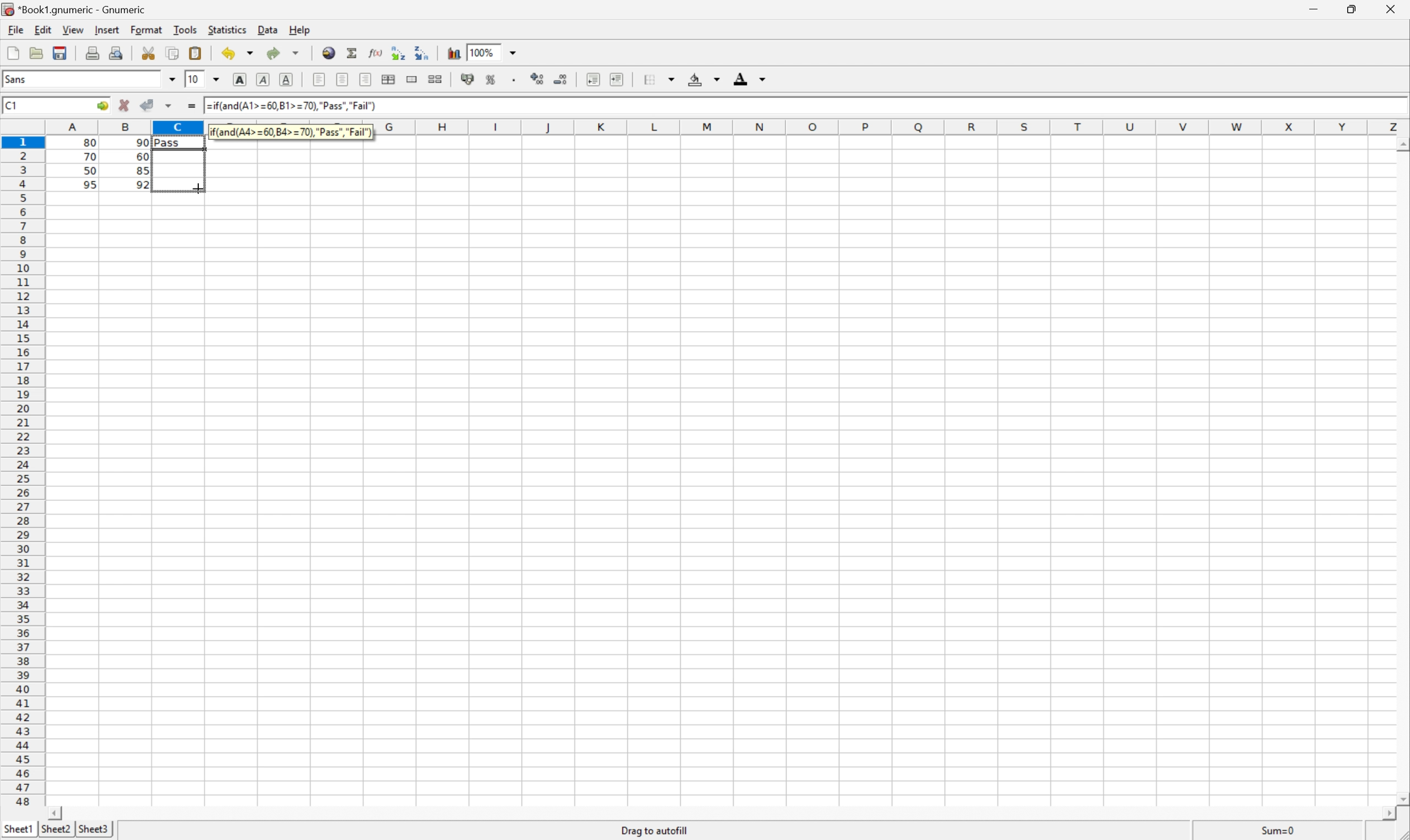 This screenshot has height=840, width=1410. Describe the element at coordinates (493, 78) in the screenshot. I see `Format the selection as percentage` at that location.